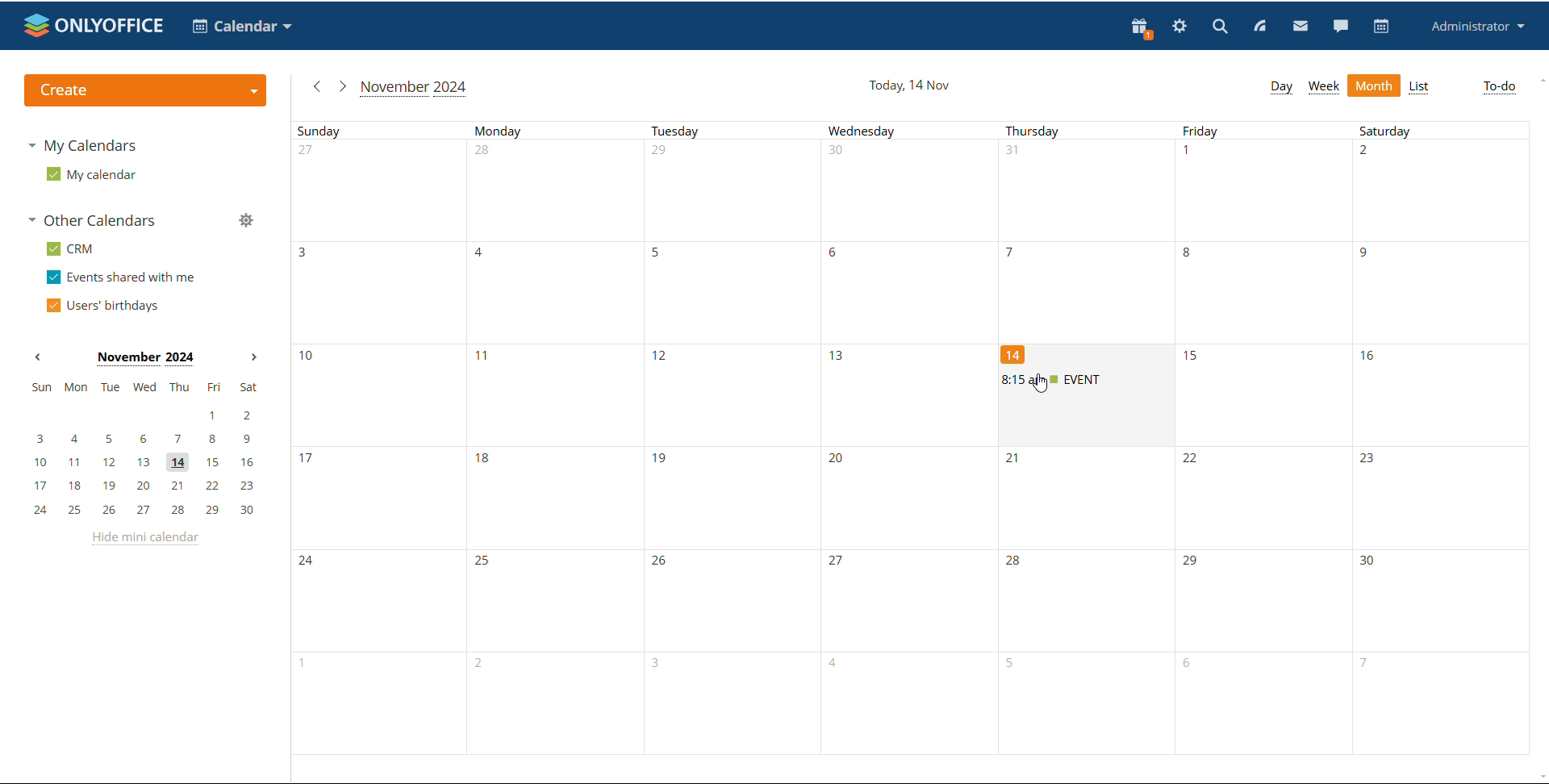  What do you see at coordinates (341, 85) in the screenshot?
I see `next month` at bounding box center [341, 85].